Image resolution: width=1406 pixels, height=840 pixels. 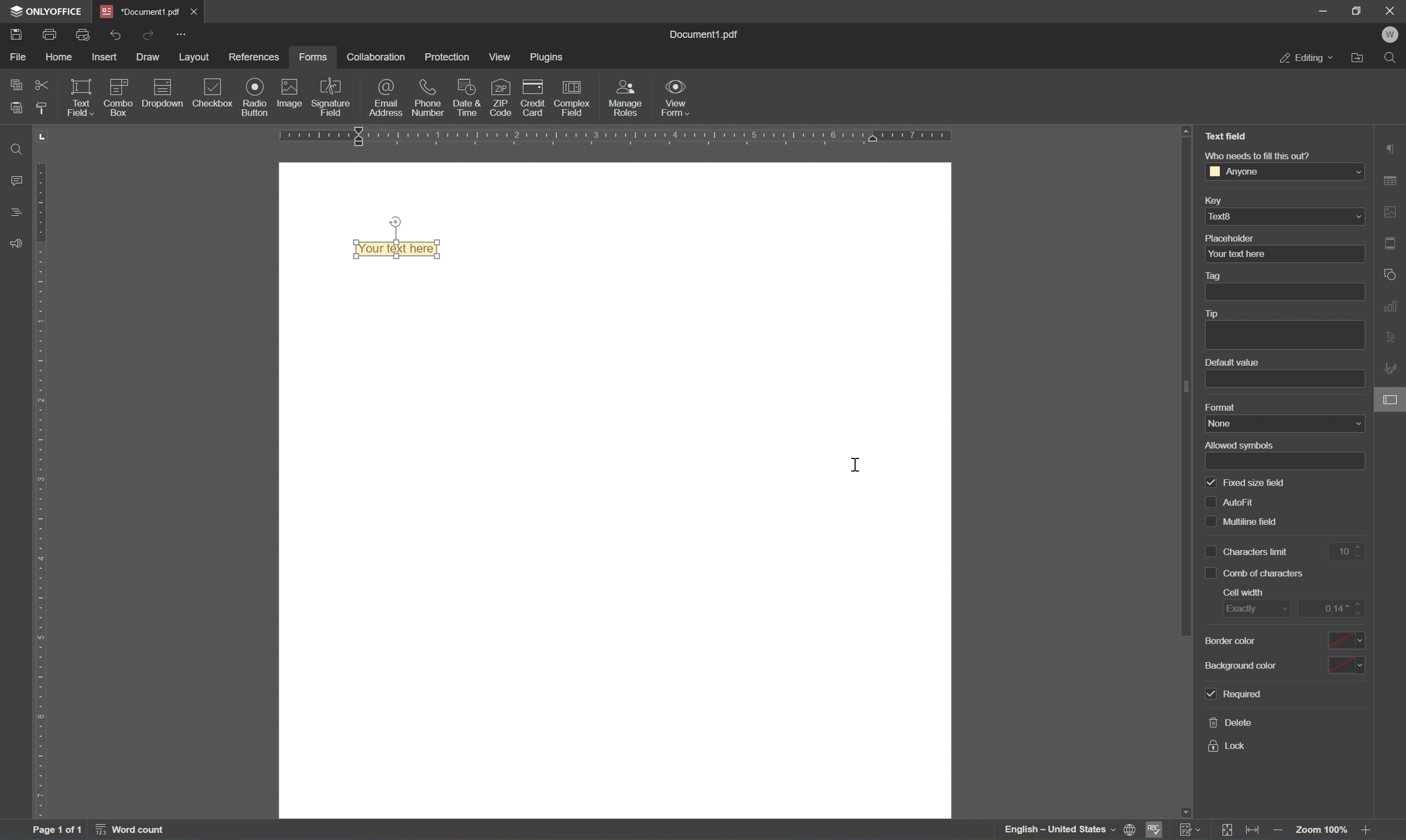 I want to click on allowed symbols, so click(x=1241, y=445).